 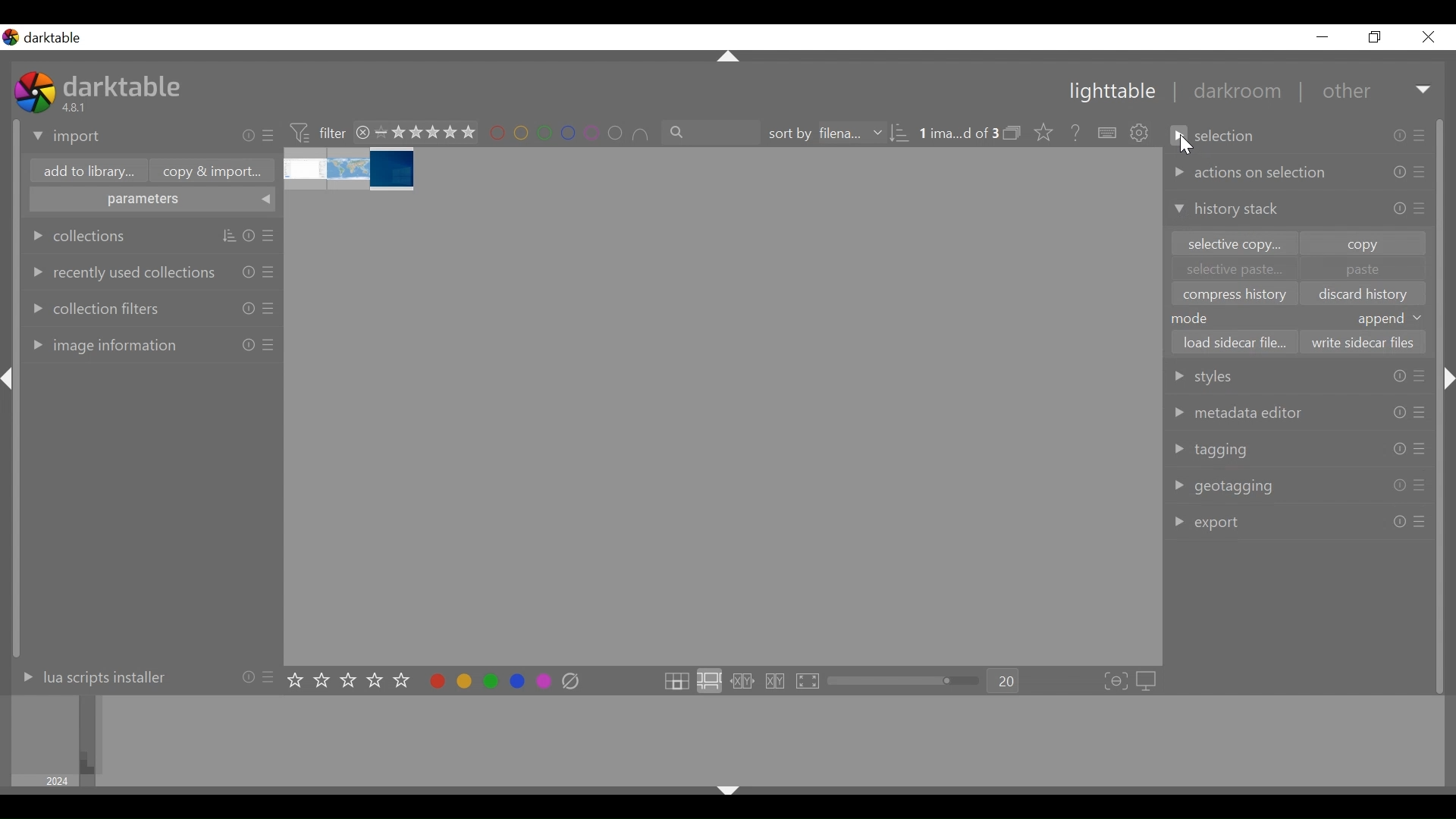 I want to click on filter by color label, so click(x=570, y=134).